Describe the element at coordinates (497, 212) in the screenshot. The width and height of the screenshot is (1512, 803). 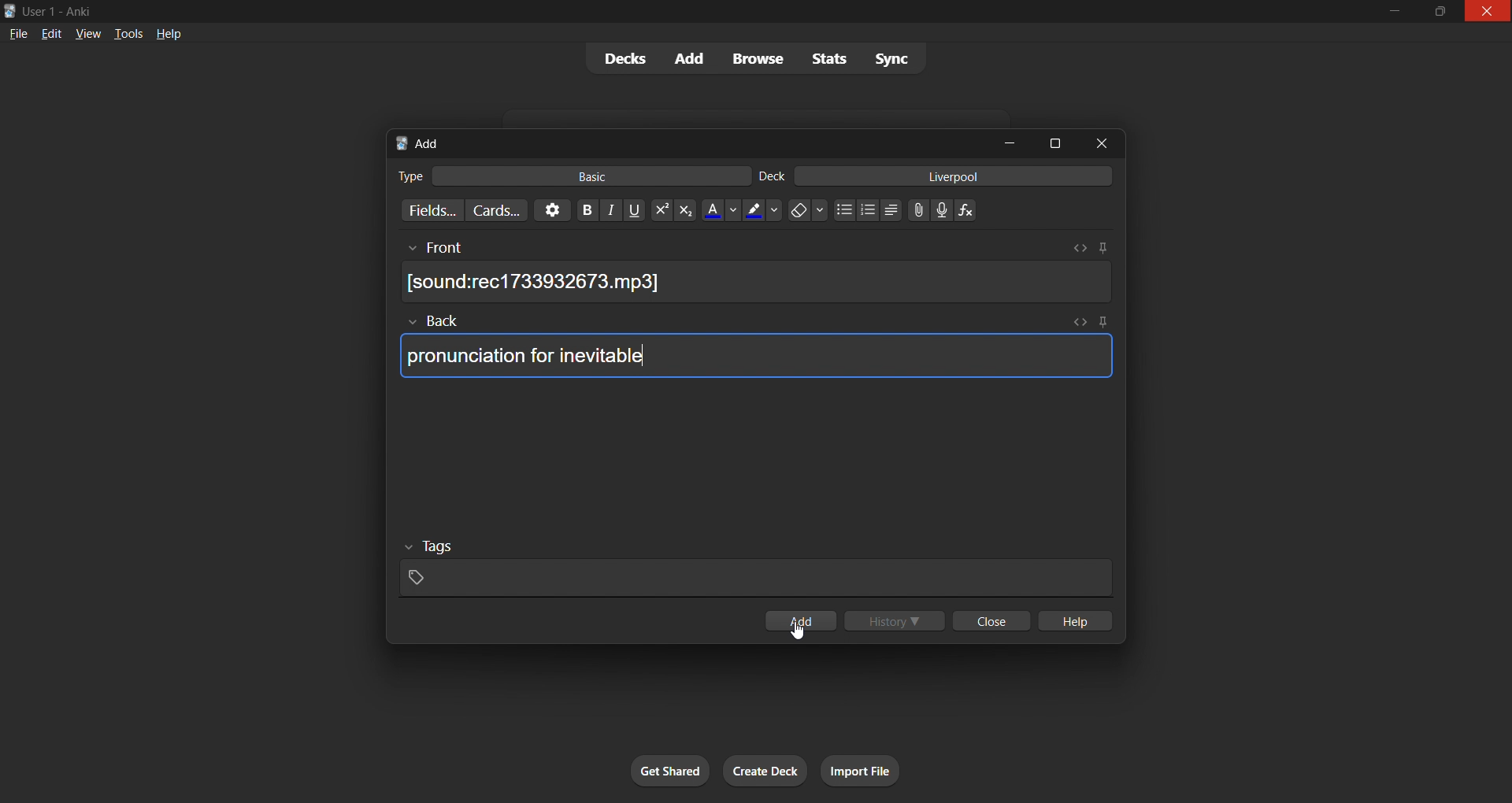
I see `customize card templates` at that location.